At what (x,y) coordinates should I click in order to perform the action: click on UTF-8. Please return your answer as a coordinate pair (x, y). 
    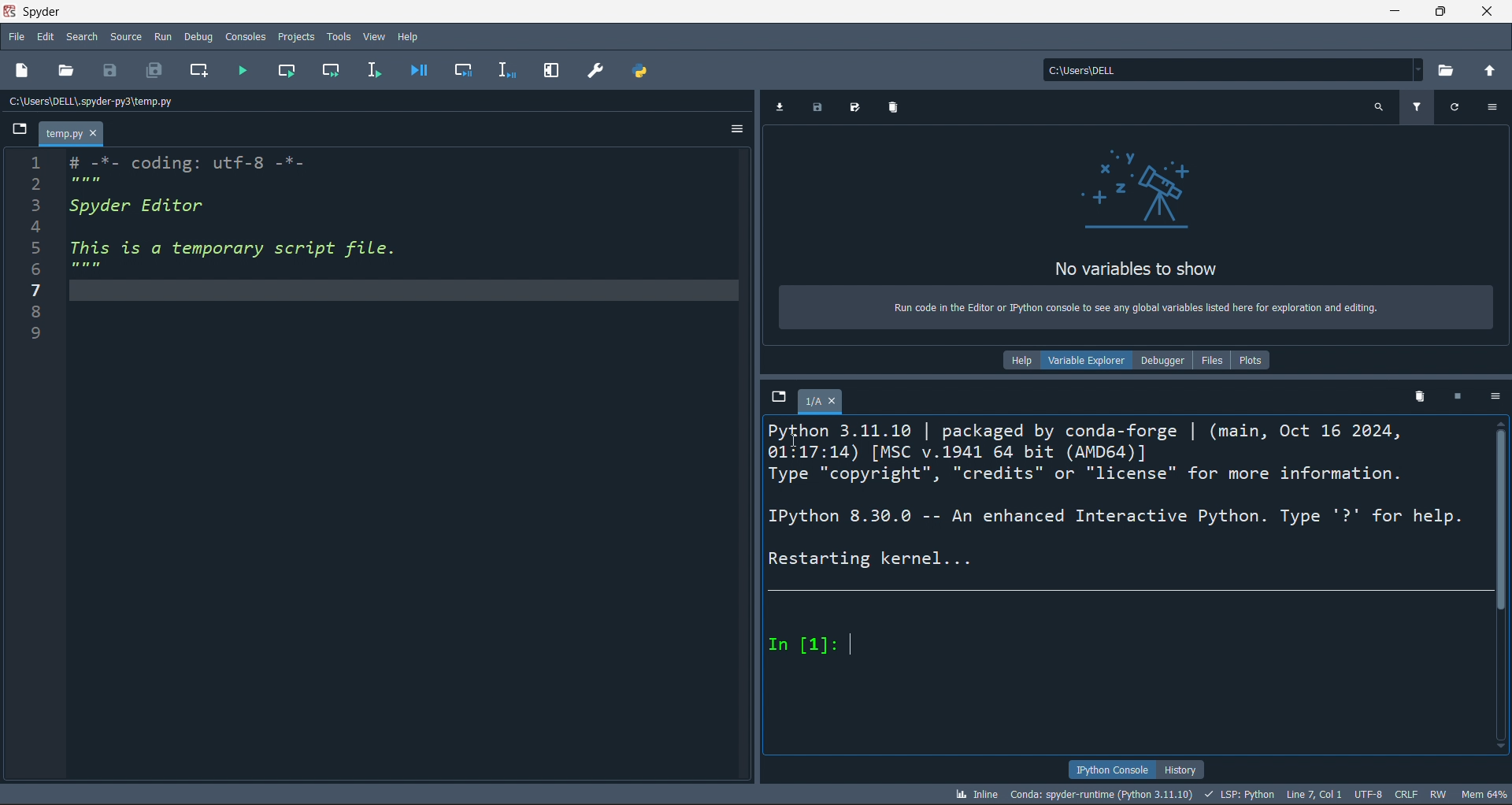
    Looking at the image, I should click on (1369, 795).